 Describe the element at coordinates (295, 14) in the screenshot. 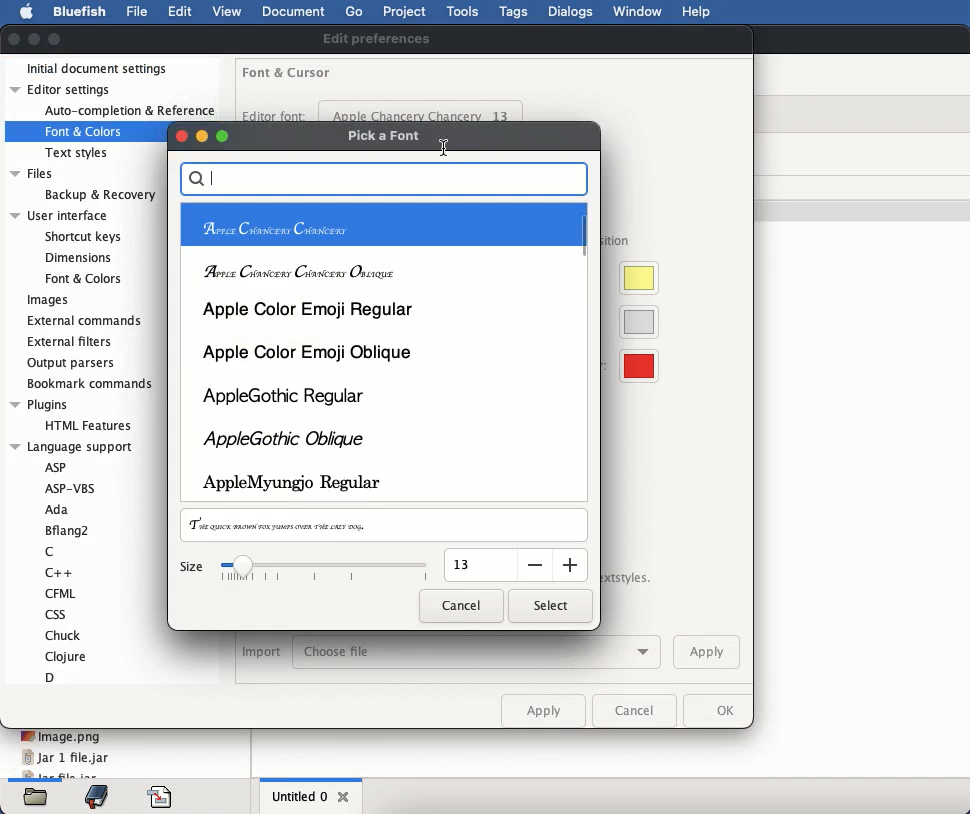

I see `document` at that location.